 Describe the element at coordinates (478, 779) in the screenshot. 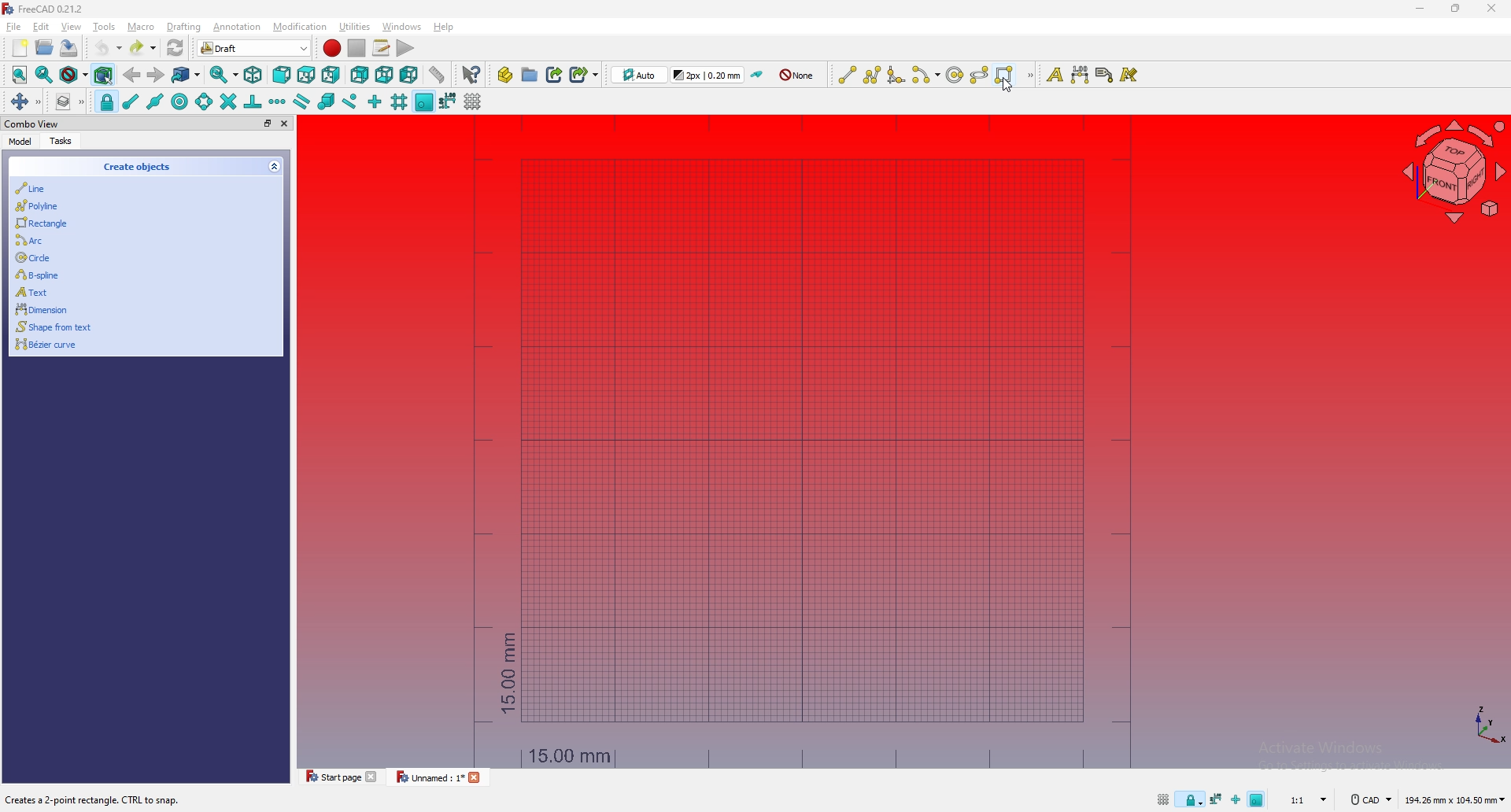

I see `close file` at that location.